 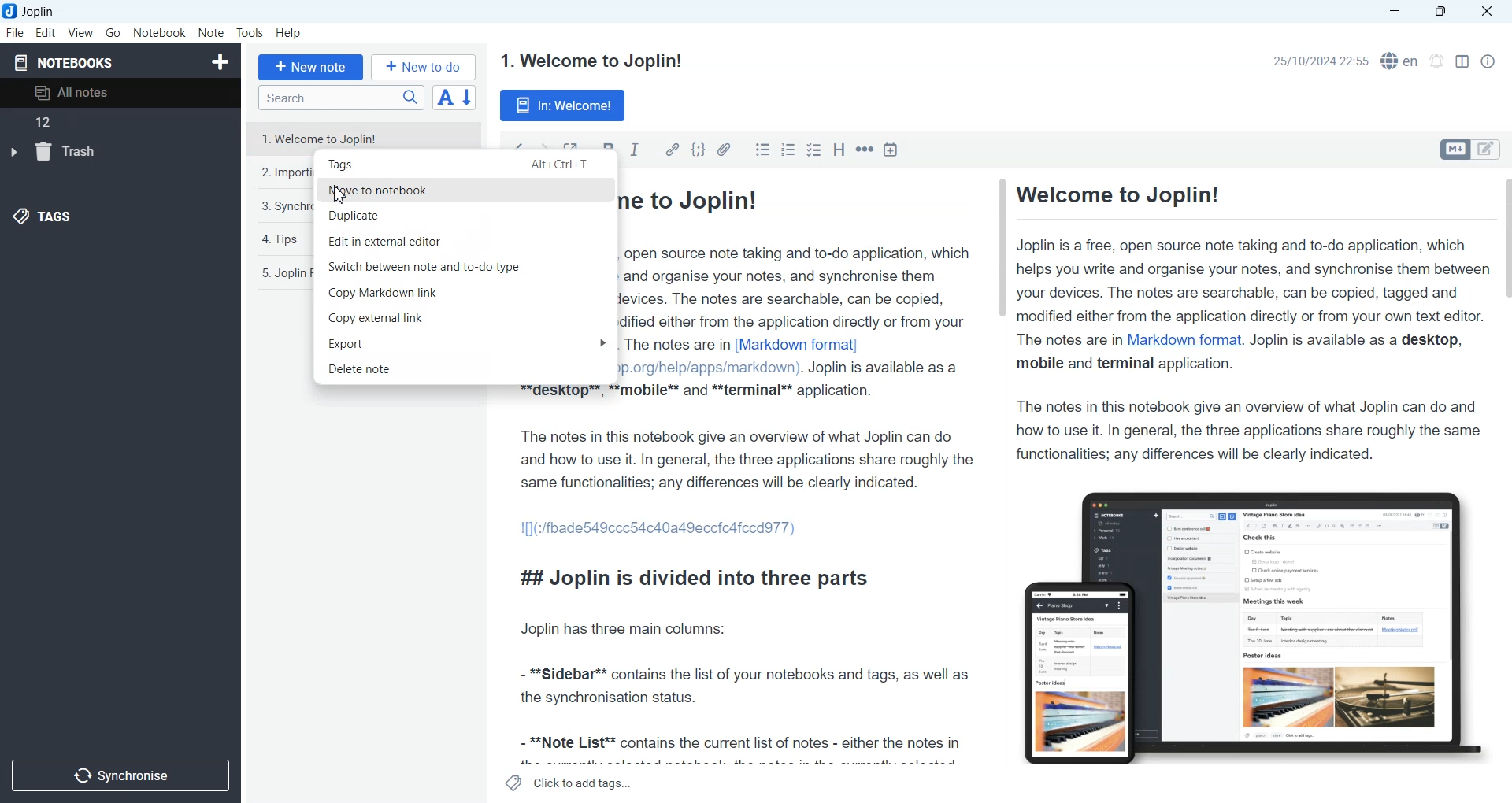 What do you see at coordinates (590, 61) in the screenshot?
I see `1. Welcome to Joplin!` at bounding box center [590, 61].